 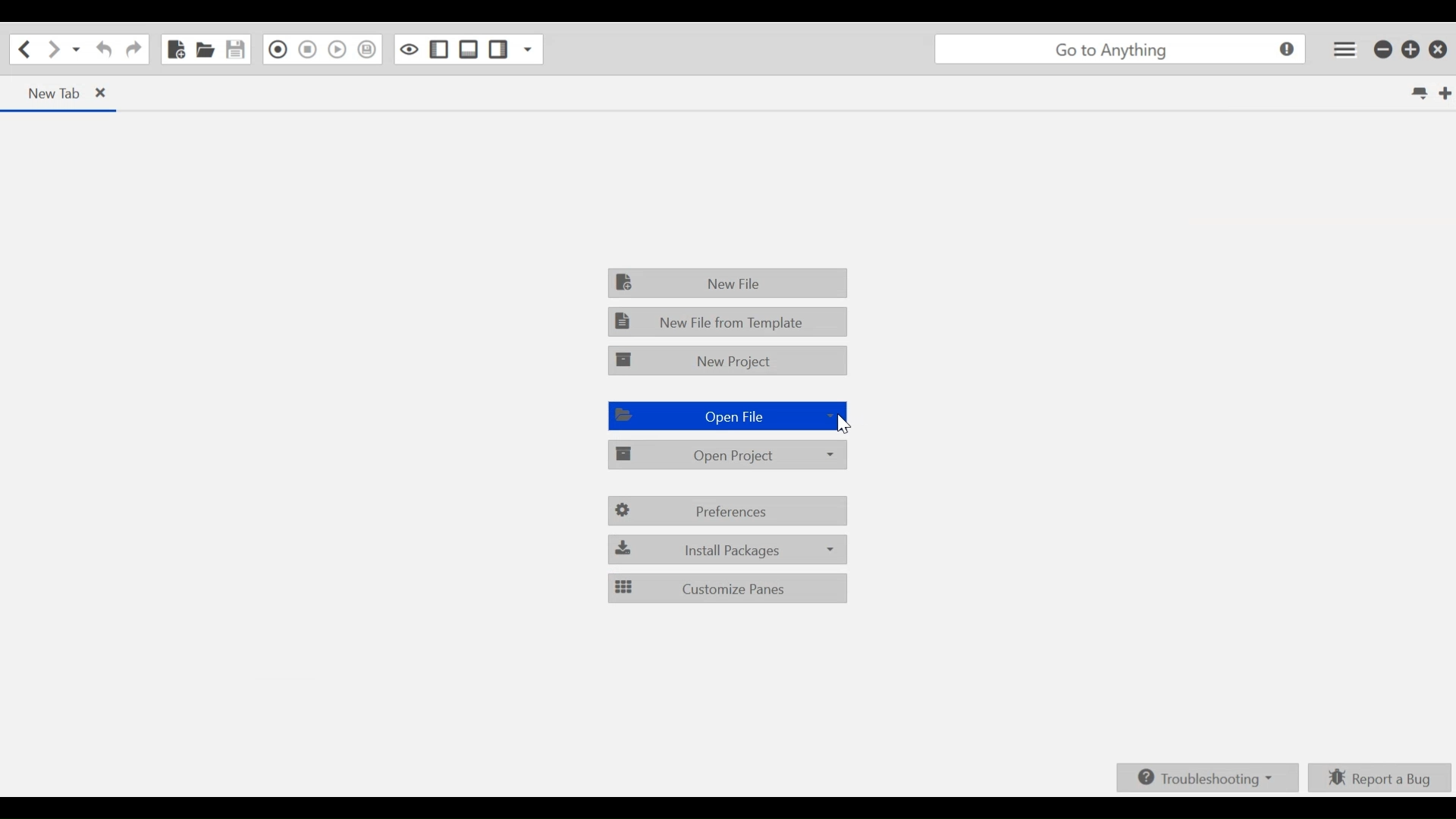 What do you see at coordinates (843, 425) in the screenshot?
I see `Cursor` at bounding box center [843, 425].